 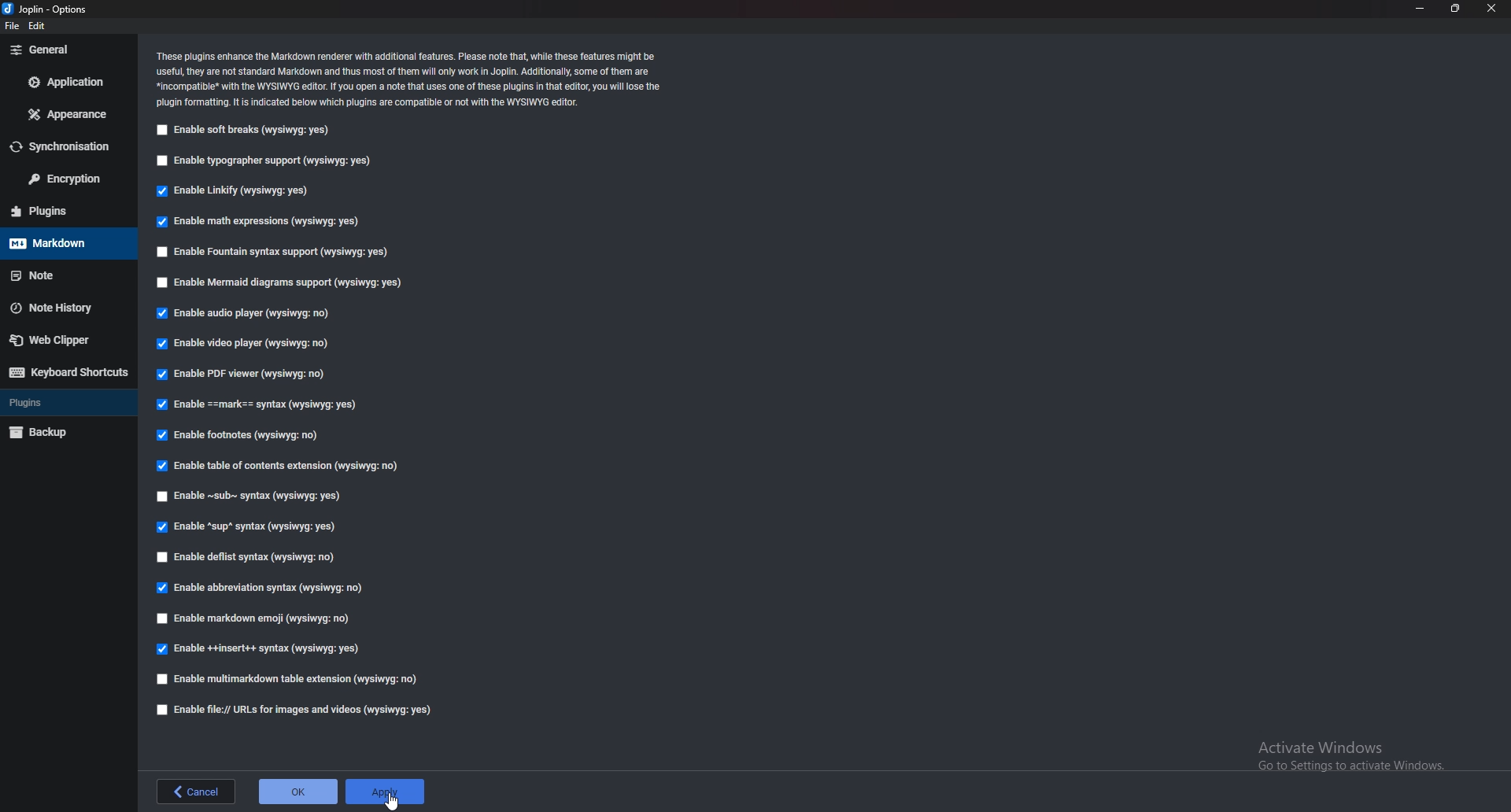 I want to click on Enable table of contents extension, so click(x=283, y=465).